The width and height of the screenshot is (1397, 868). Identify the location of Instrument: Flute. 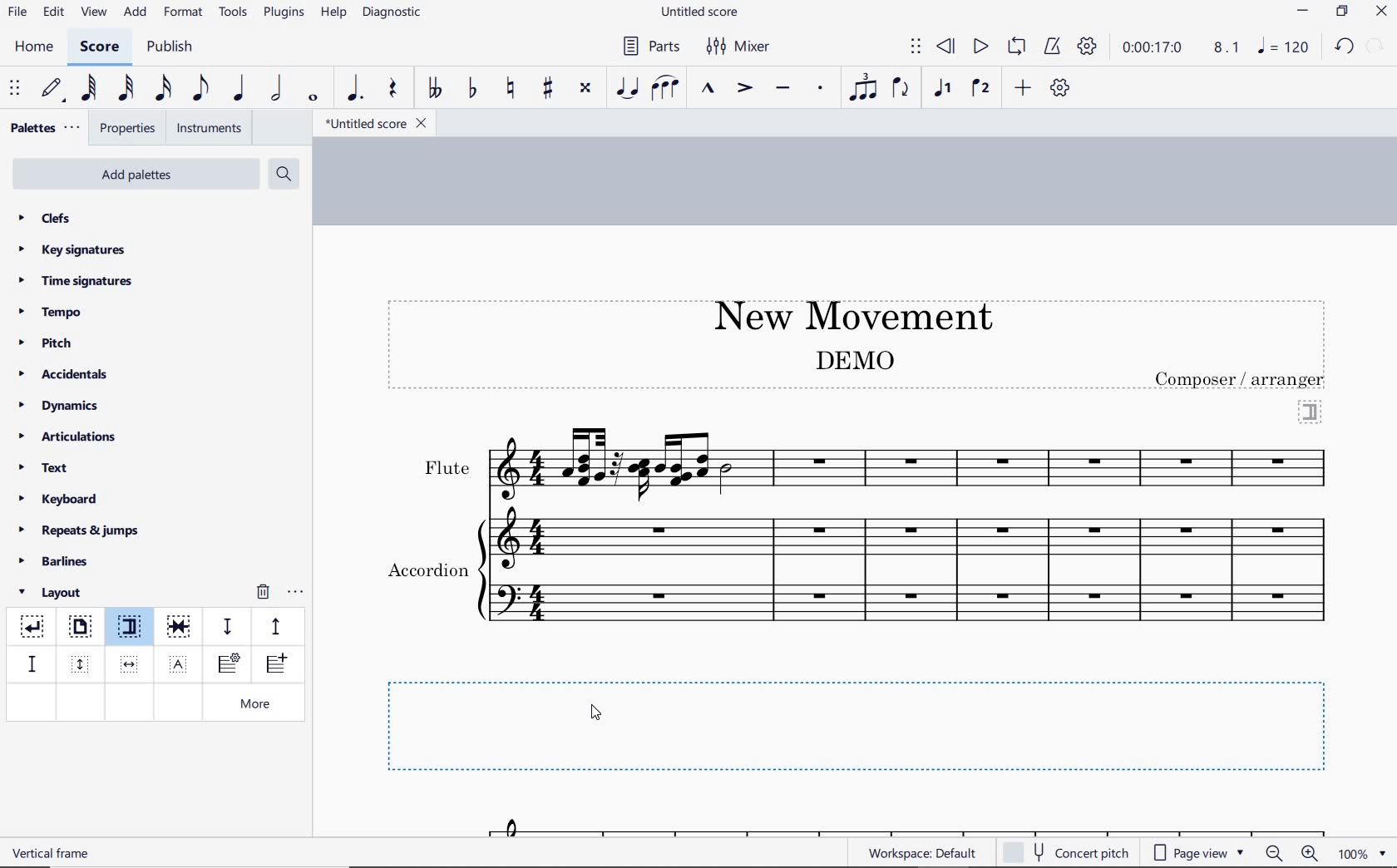
(914, 462).